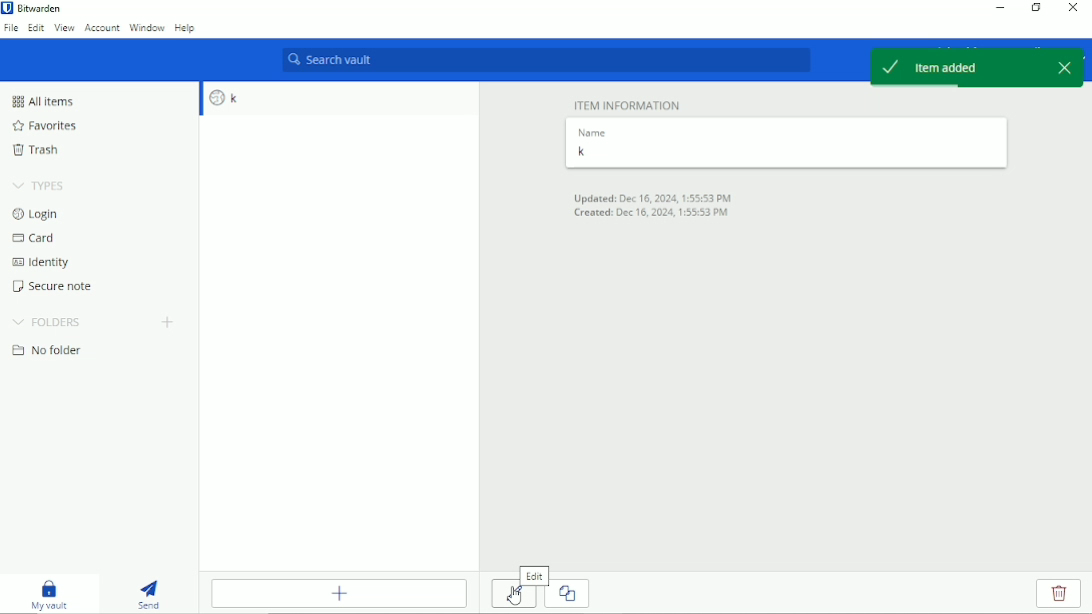 This screenshot has height=614, width=1092. What do you see at coordinates (513, 597) in the screenshot?
I see `Edit` at bounding box center [513, 597].